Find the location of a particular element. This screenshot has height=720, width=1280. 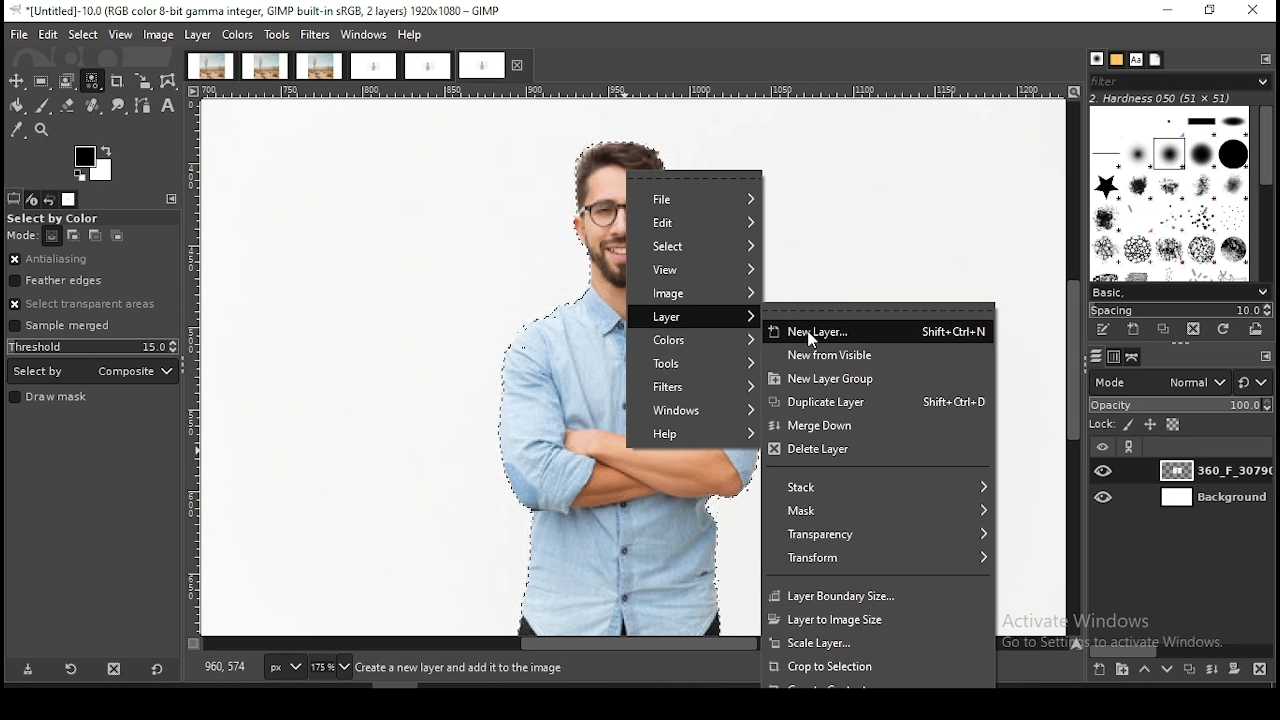

new from visible is located at coordinates (876, 353).